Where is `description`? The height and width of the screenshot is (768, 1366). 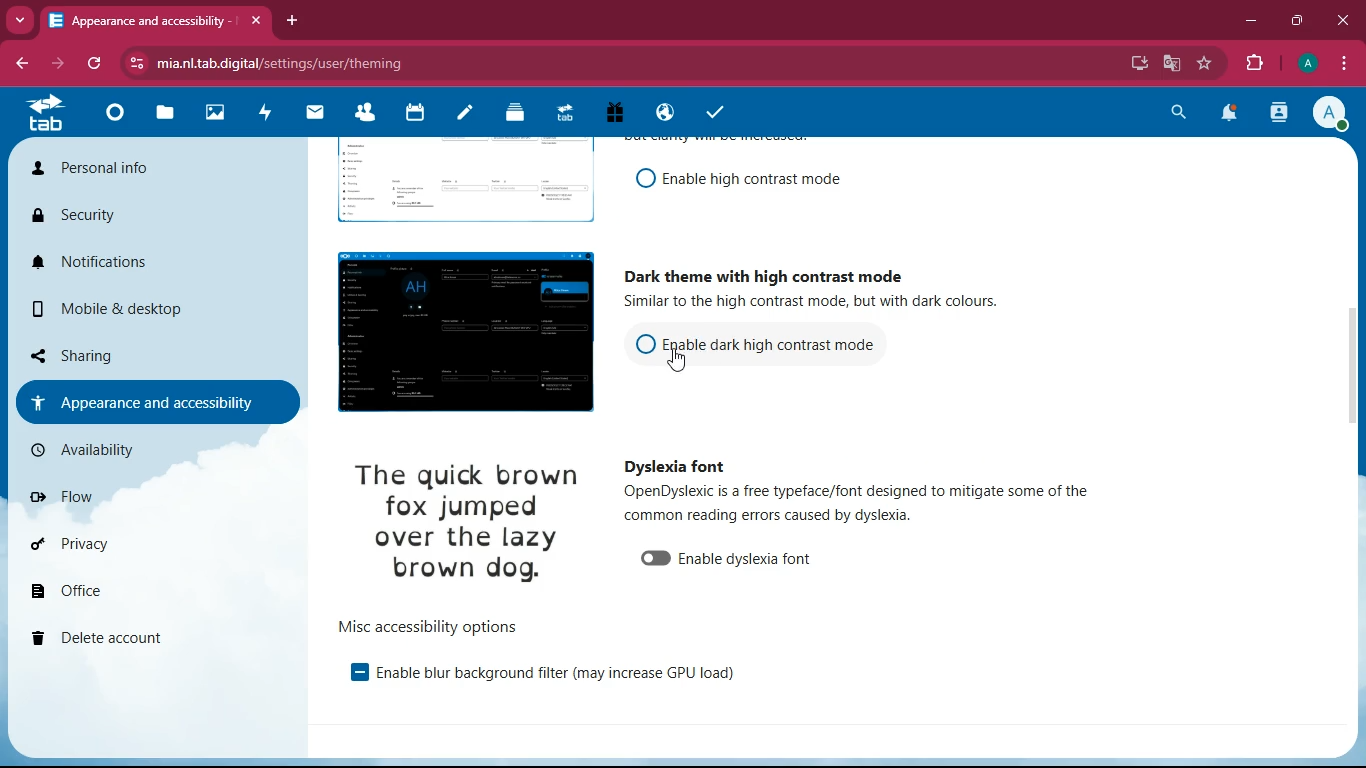 description is located at coordinates (836, 303).